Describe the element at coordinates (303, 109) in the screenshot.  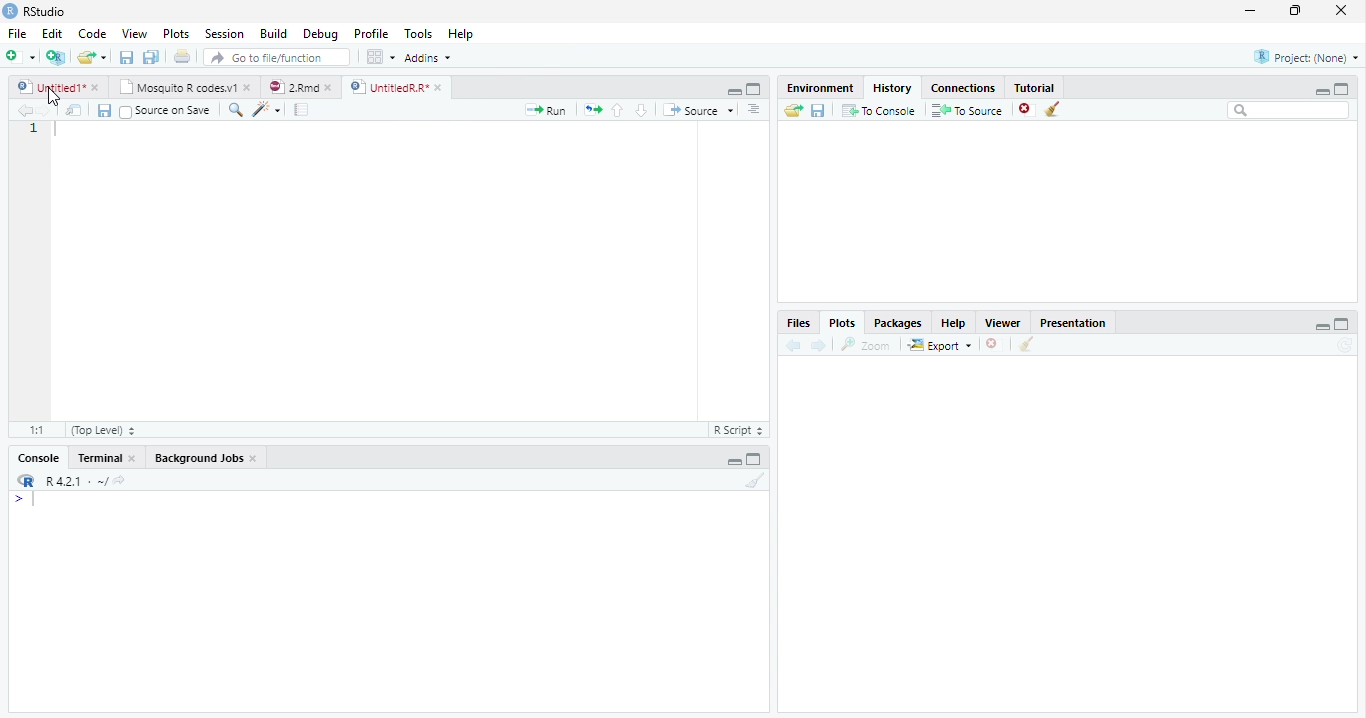
I see `Compile Report` at that location.